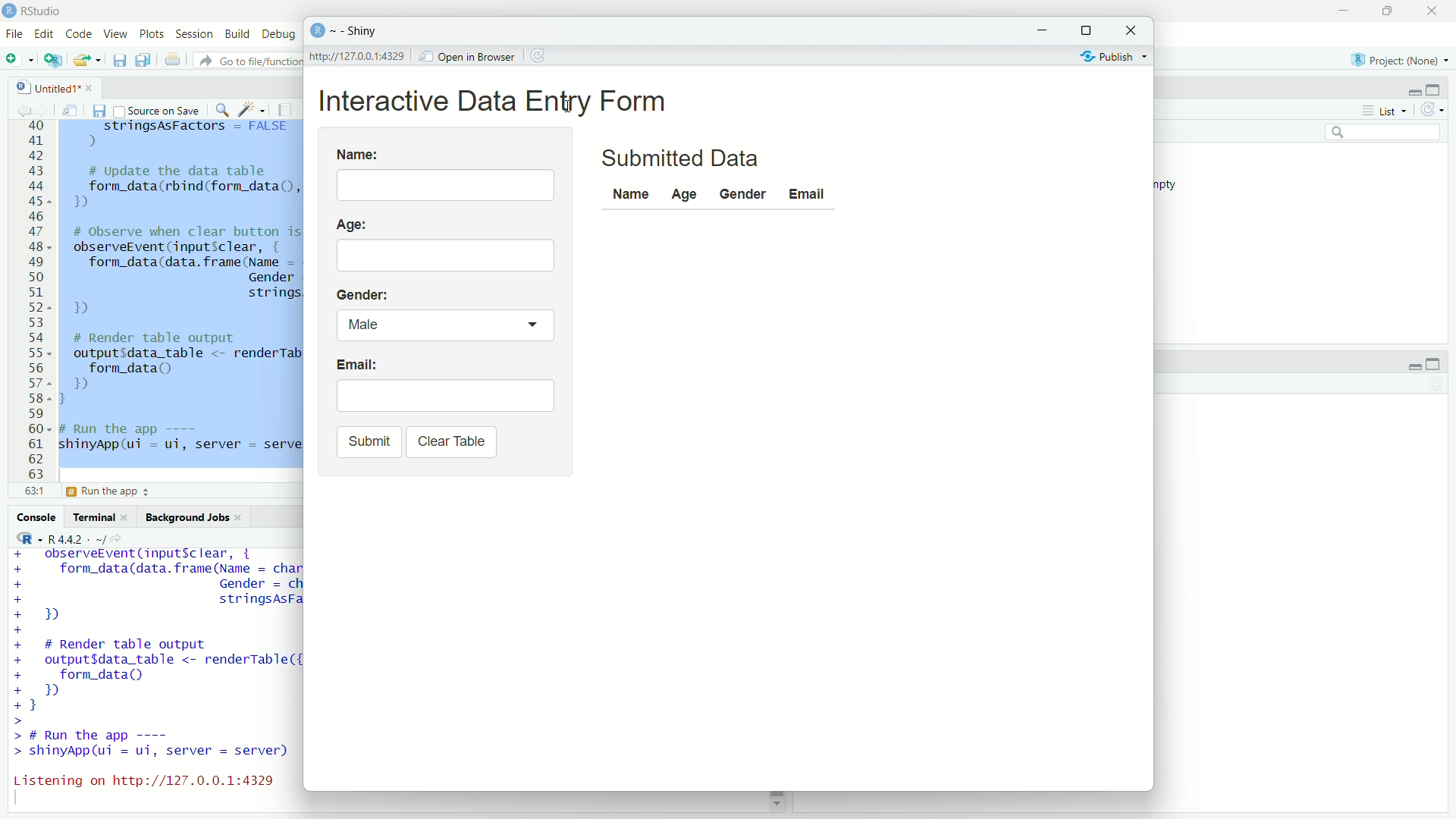 This screenshot has width=1456, height=819. What do you see at coordinates (686, 193) in the screenshot?
I see `Age` at bounding box center [686, 193].